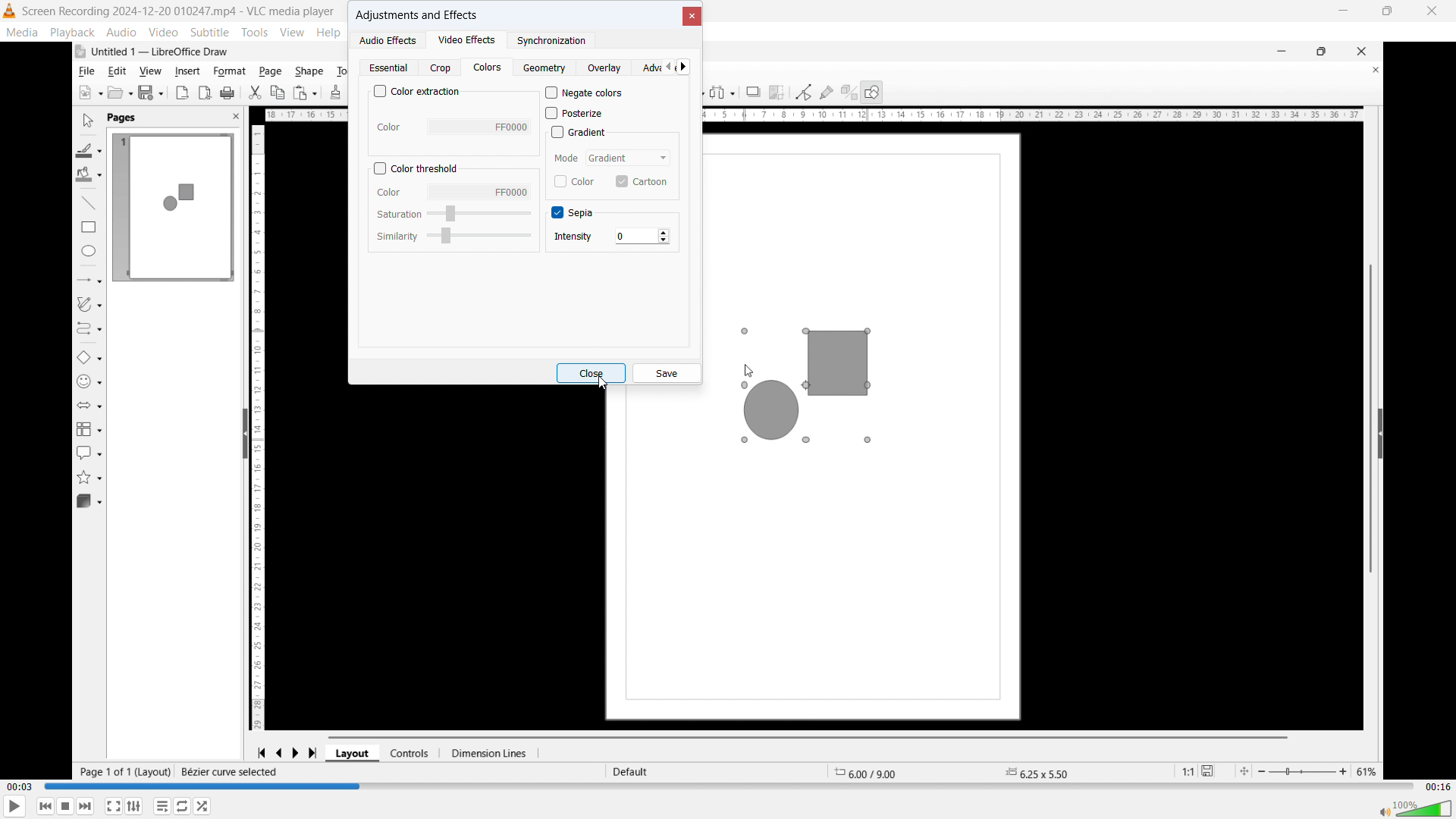 This screenshot has width=1456, height=819. I want to click on Colour, so click(388, 192).